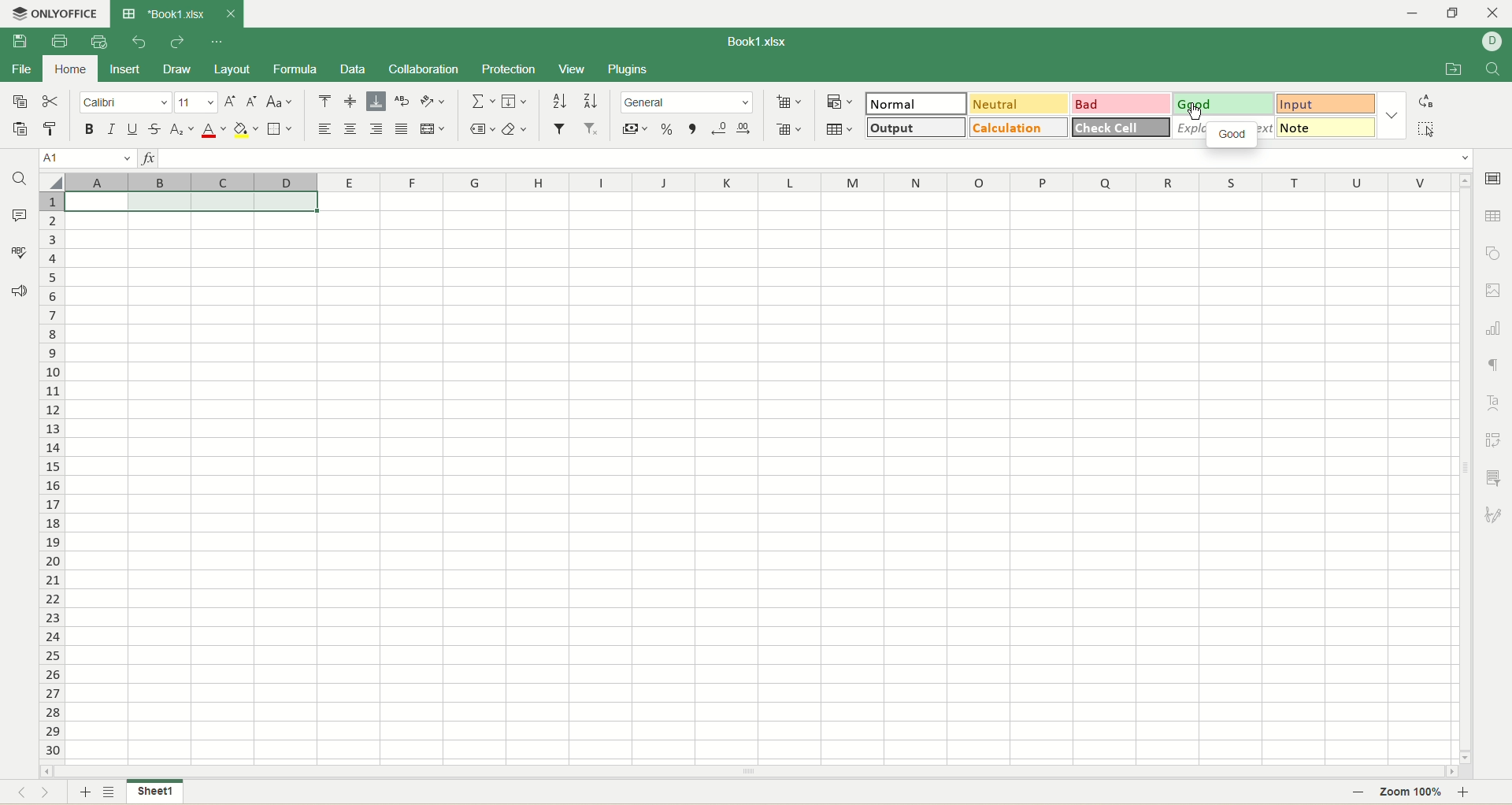 The height and width of the screenshot is (805, 1512). What do you see at coordinates (1123, 104) in the screenshot?
I see `bad` at bounding box center [1123, 104].